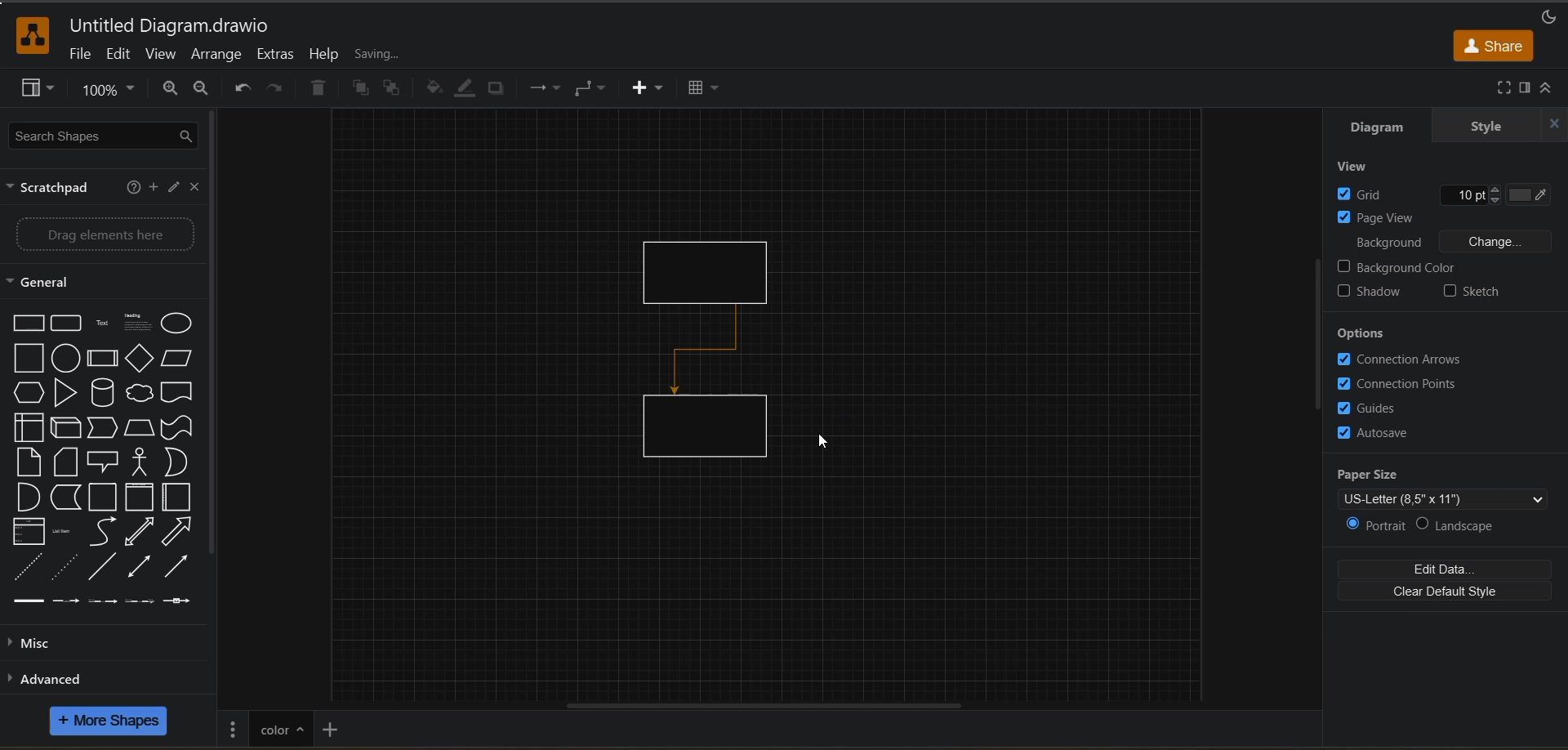  I want to click on misc, so click(36, 644).